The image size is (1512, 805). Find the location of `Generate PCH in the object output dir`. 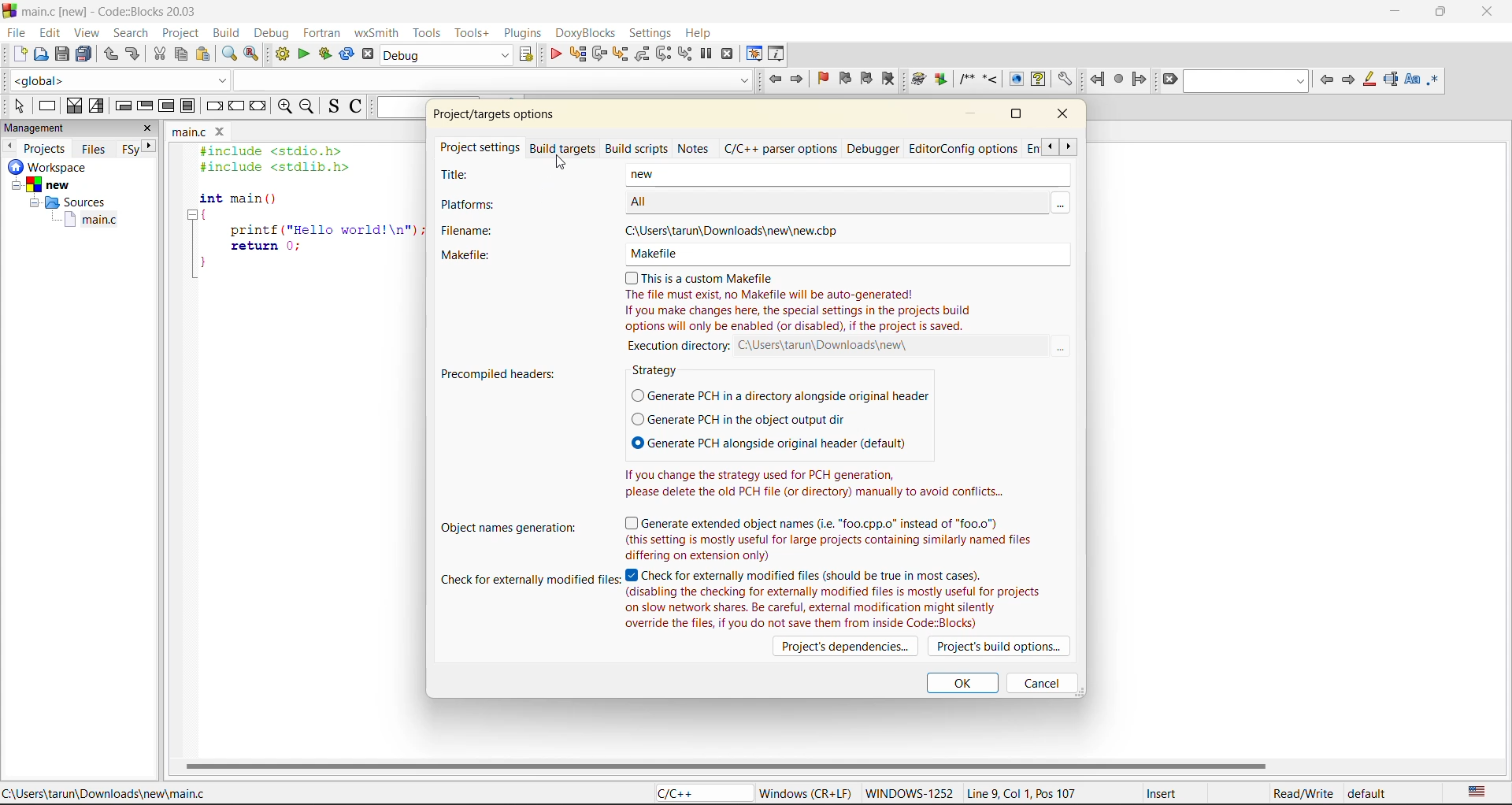

Generate PCH in the object output dir is located at coordinates (740, 420).